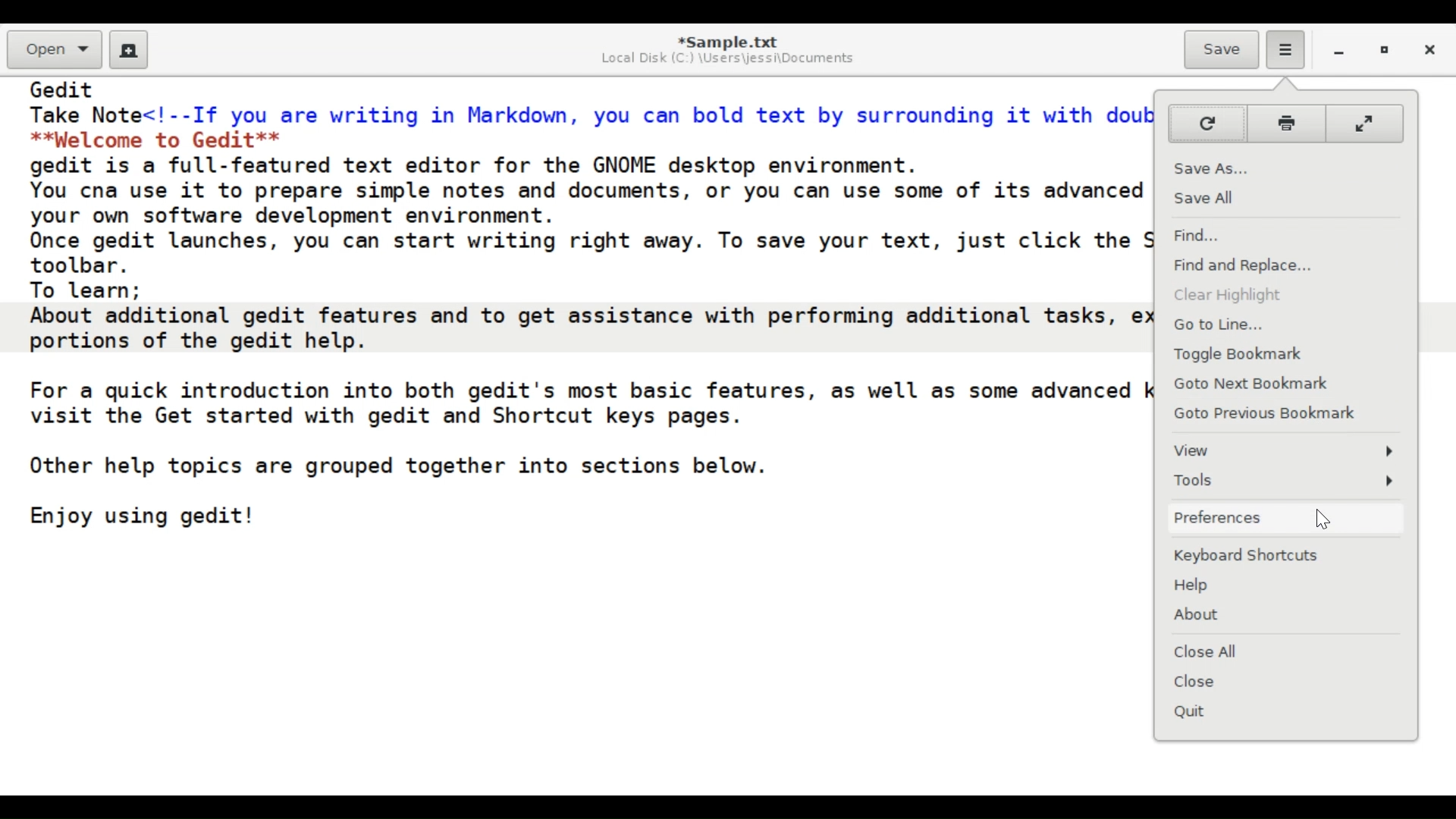 The height and width of the screenshot is (819, 1456). I want to click on Goto Previous Bookmark, so click(1287, 413).